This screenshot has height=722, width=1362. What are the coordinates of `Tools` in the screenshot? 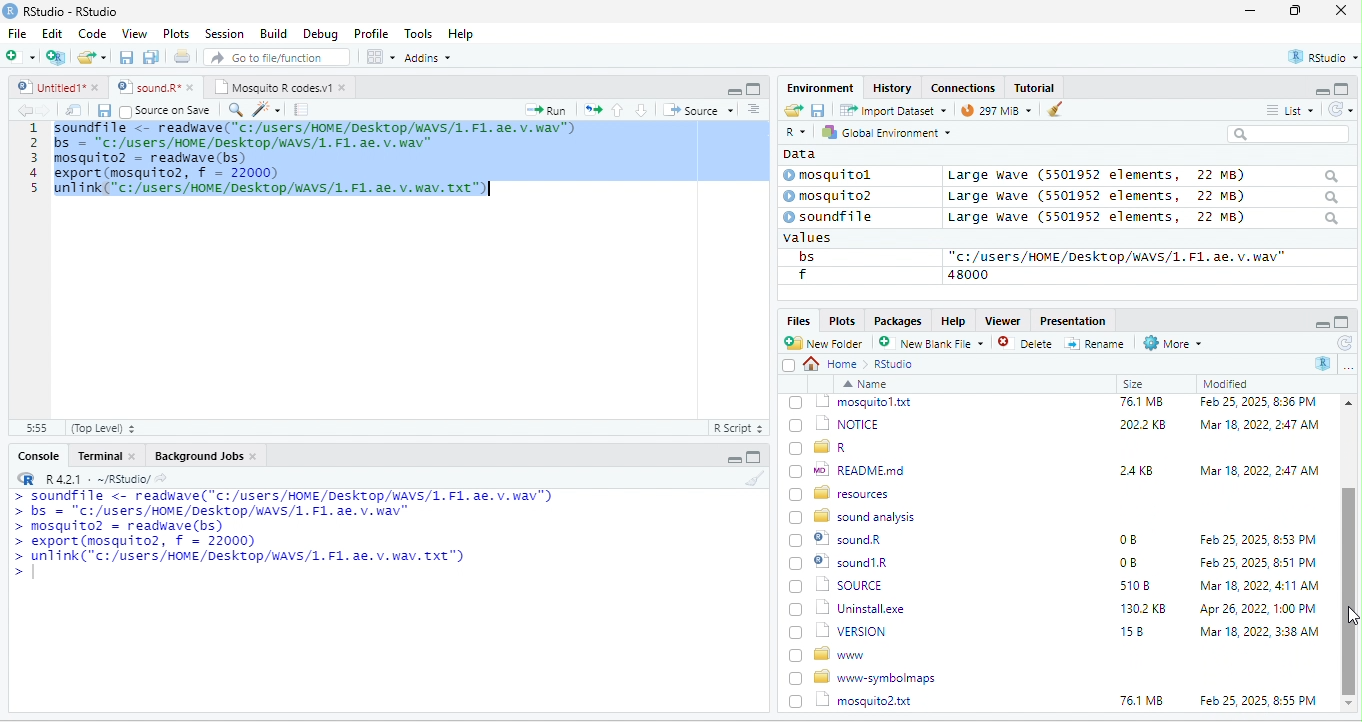 It's located at (419, 33).